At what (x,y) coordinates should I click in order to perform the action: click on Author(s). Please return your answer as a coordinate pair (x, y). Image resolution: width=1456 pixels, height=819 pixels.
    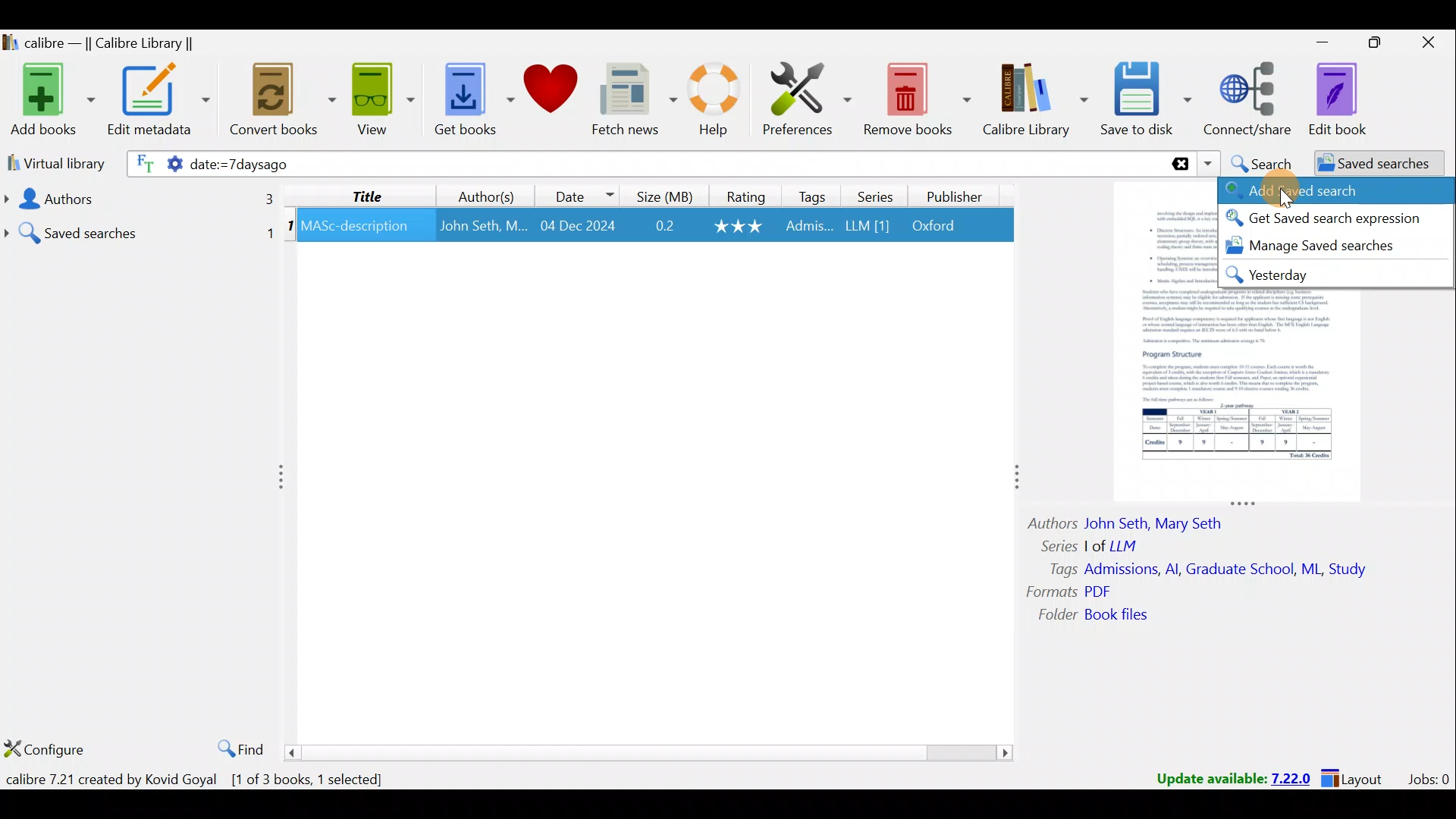
    Looking at the image, I should click on (490, 193).